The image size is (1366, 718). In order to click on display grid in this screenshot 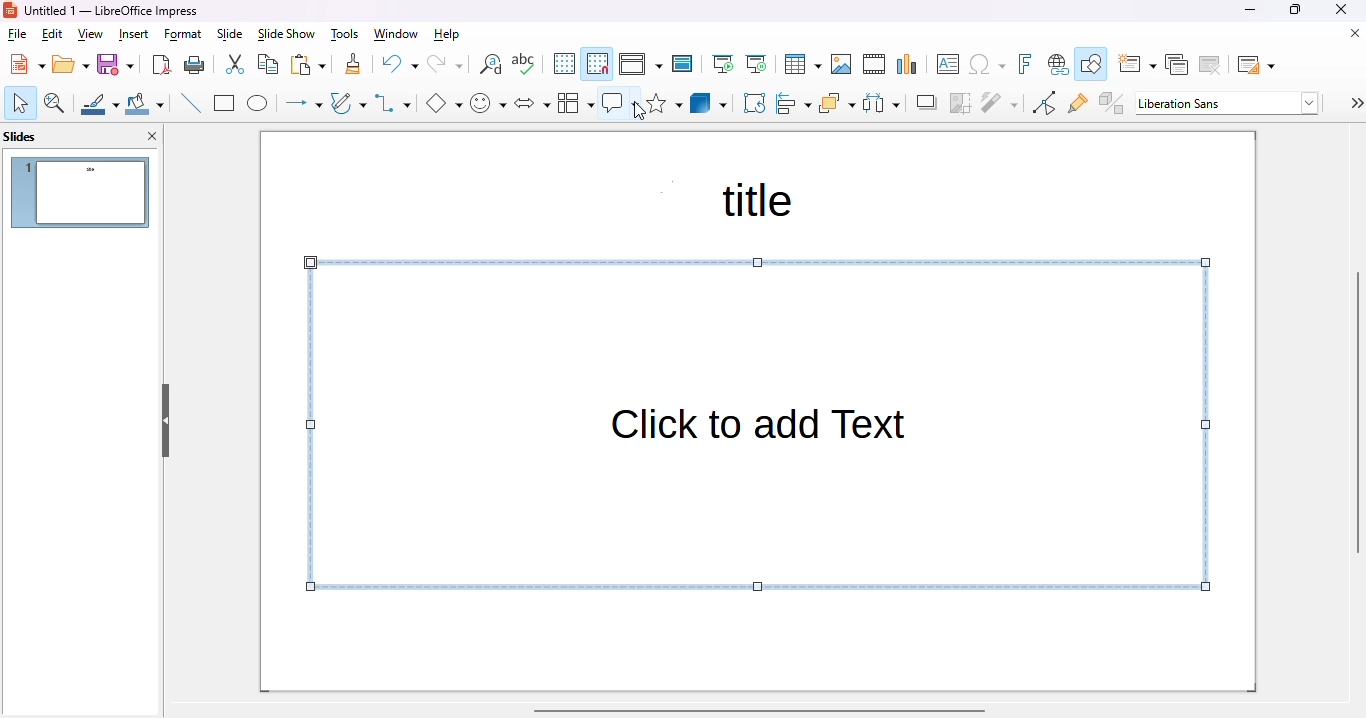, I will do `click(564, 63)`.